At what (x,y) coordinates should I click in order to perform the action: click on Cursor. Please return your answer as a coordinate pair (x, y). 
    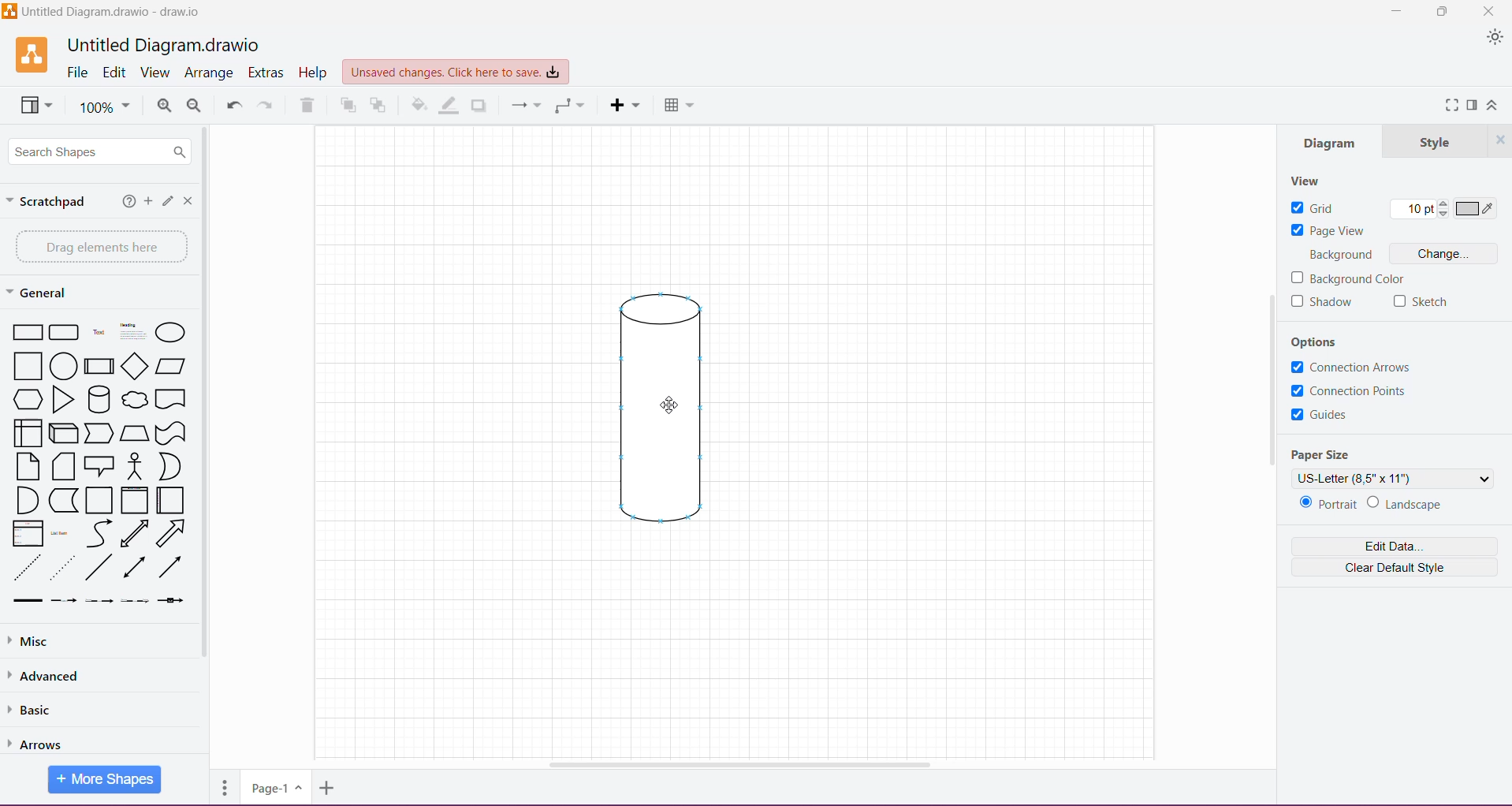
    Looking at the image, I should click on (660, 405).